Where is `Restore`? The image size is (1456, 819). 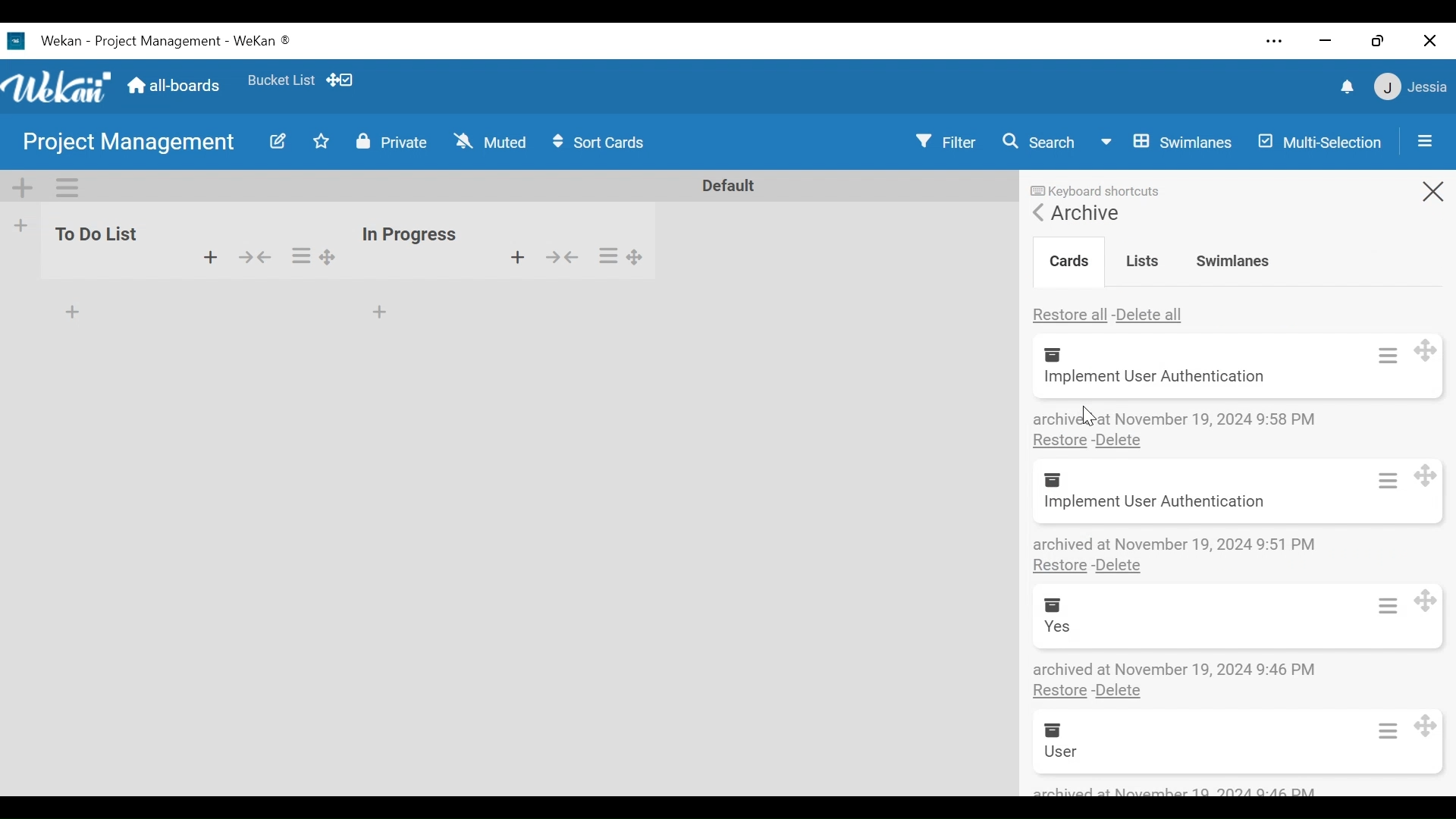 Restore is located at coordinates (1059, 440).